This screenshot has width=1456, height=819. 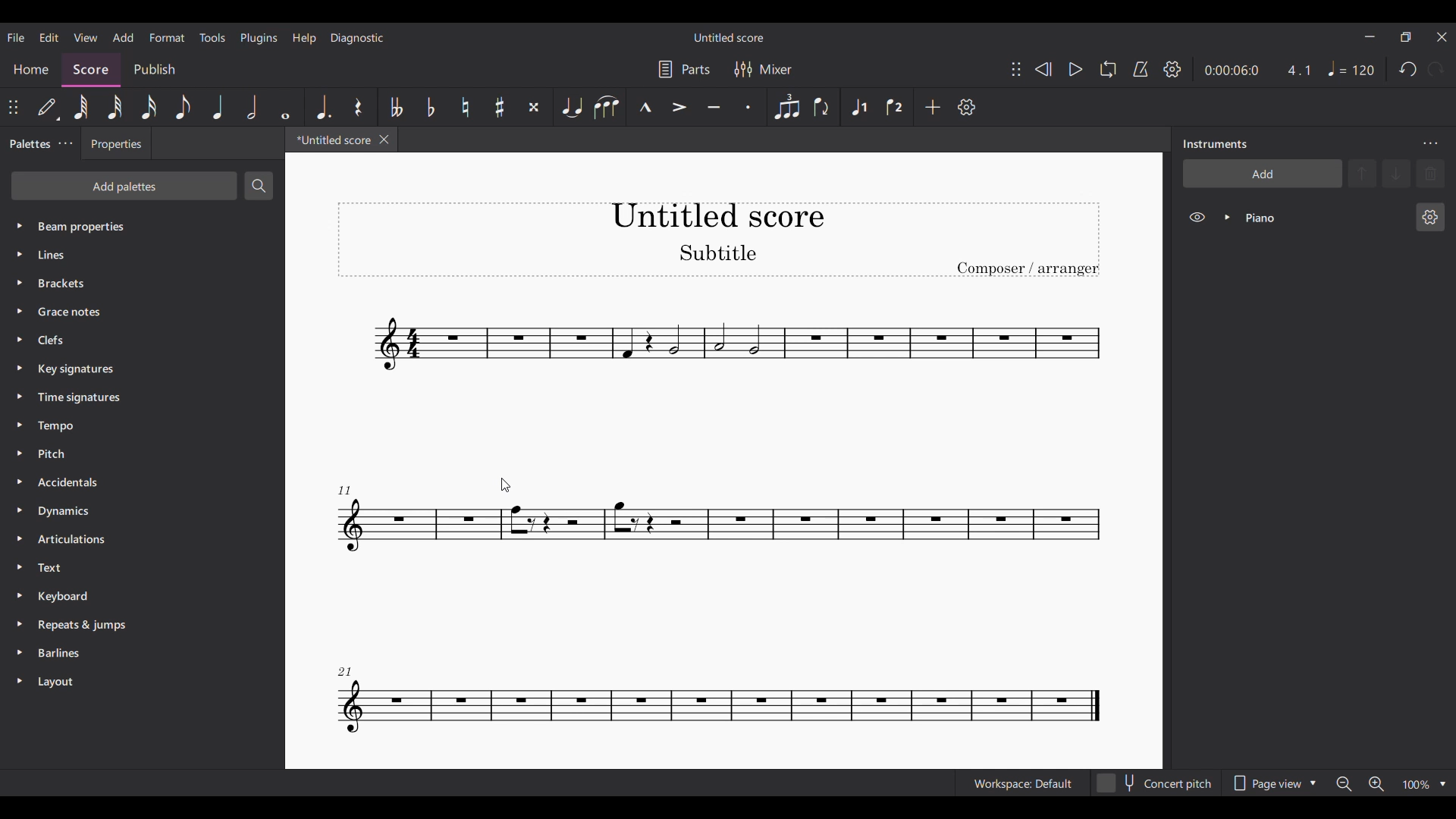 What do you see at coordinates (358, 107) in the screenshot?
I see `Rest` at bounding box center [358, 107].